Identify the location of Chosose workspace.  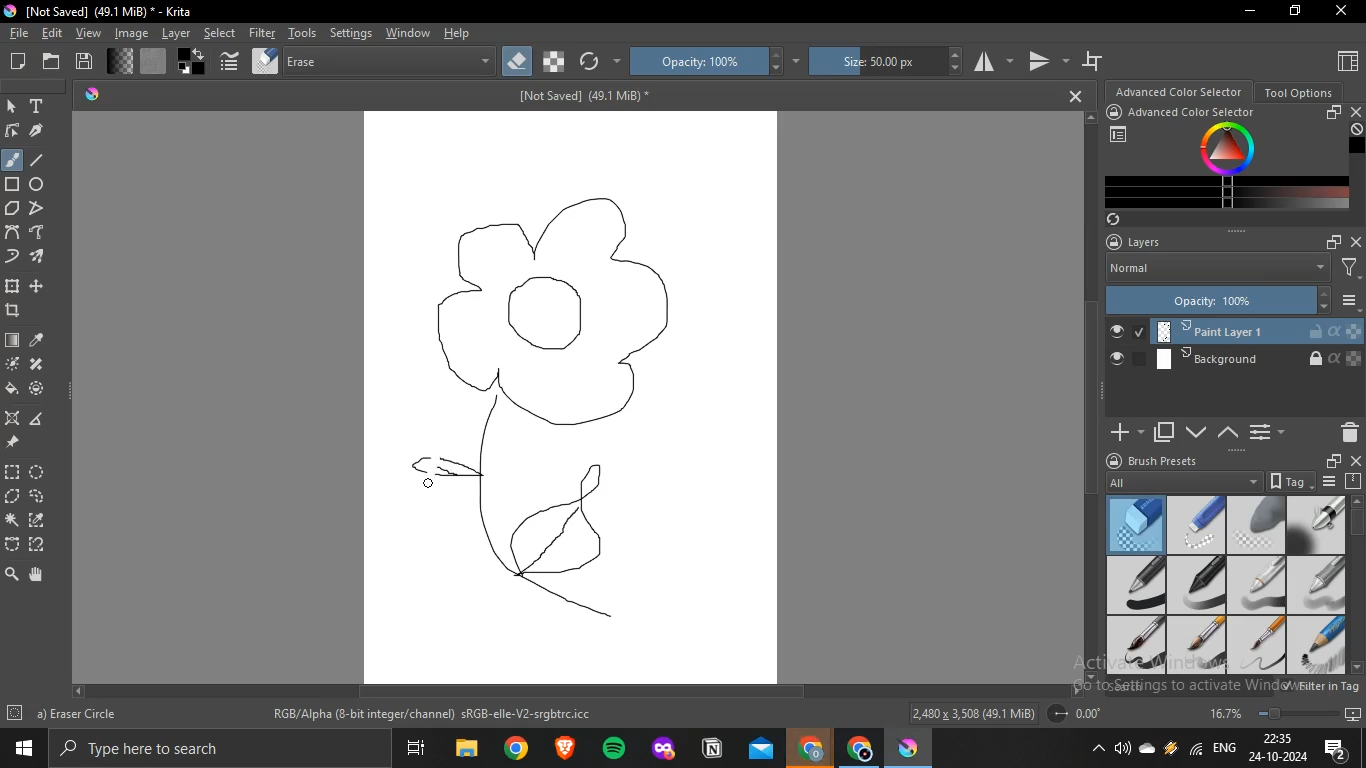
(1120, 135).